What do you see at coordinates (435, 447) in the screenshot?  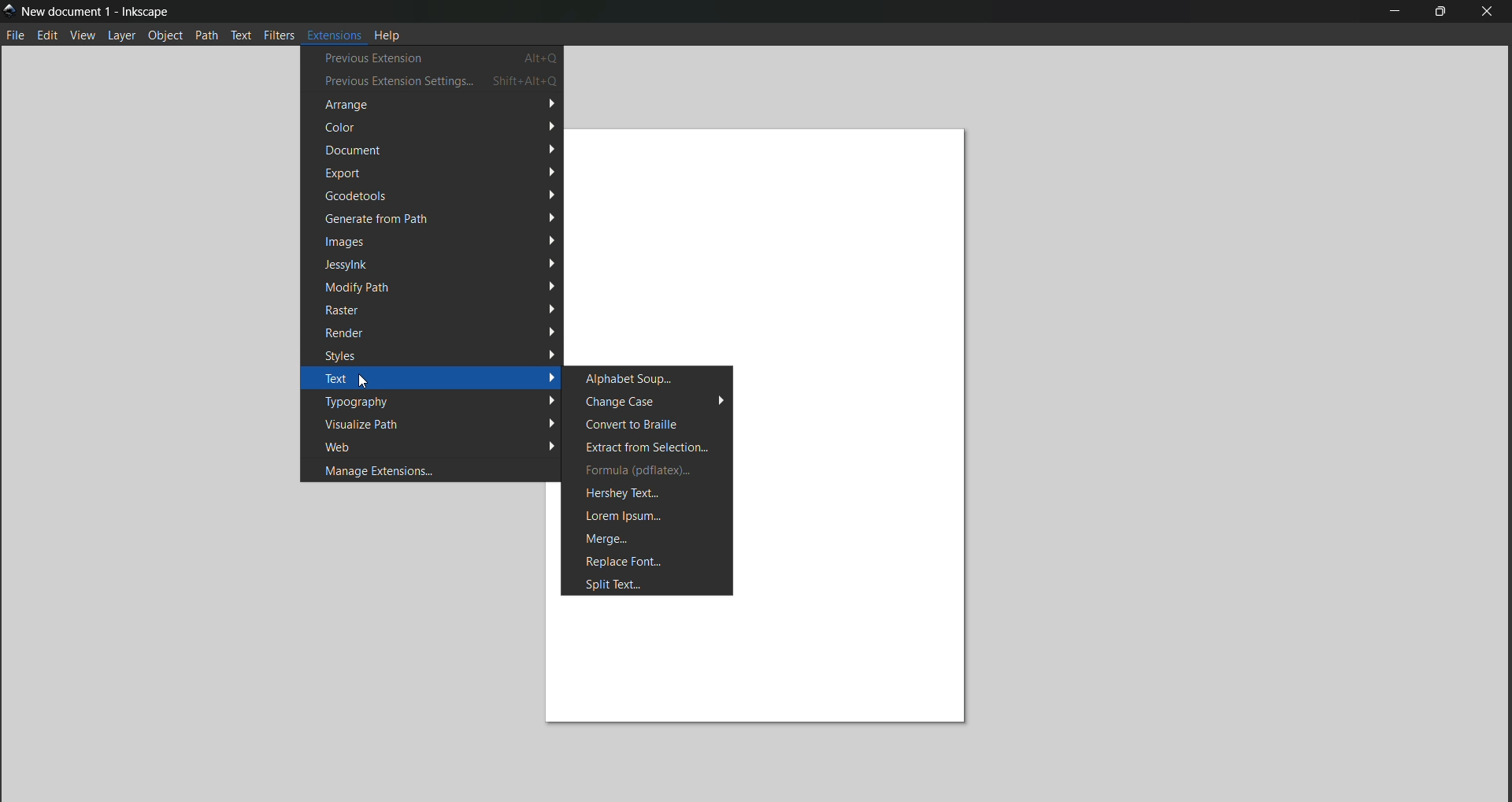 I see `web` at bounding box center [435, 447].